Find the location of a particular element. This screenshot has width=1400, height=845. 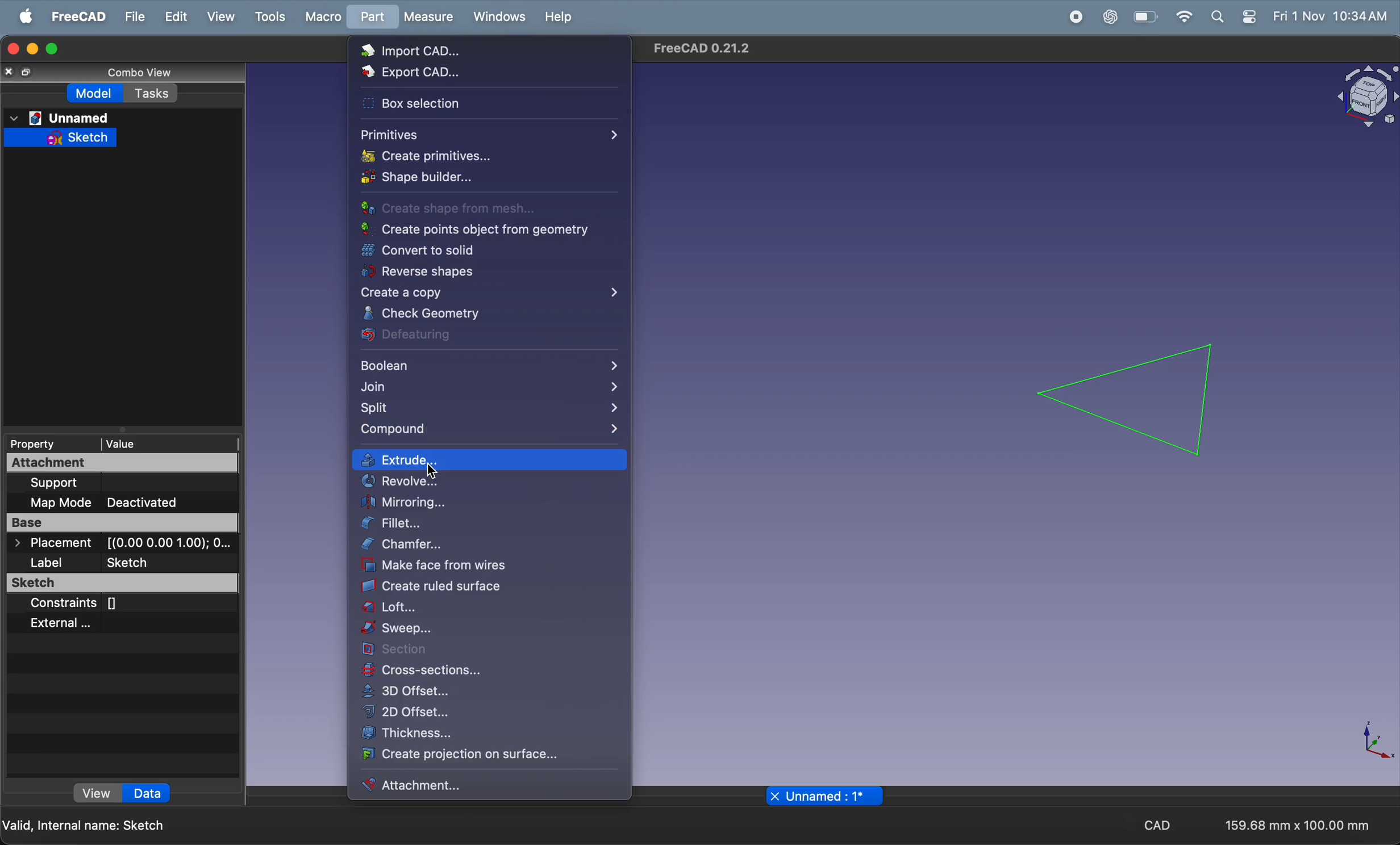

mirroring is located at coordinates (485, 503).